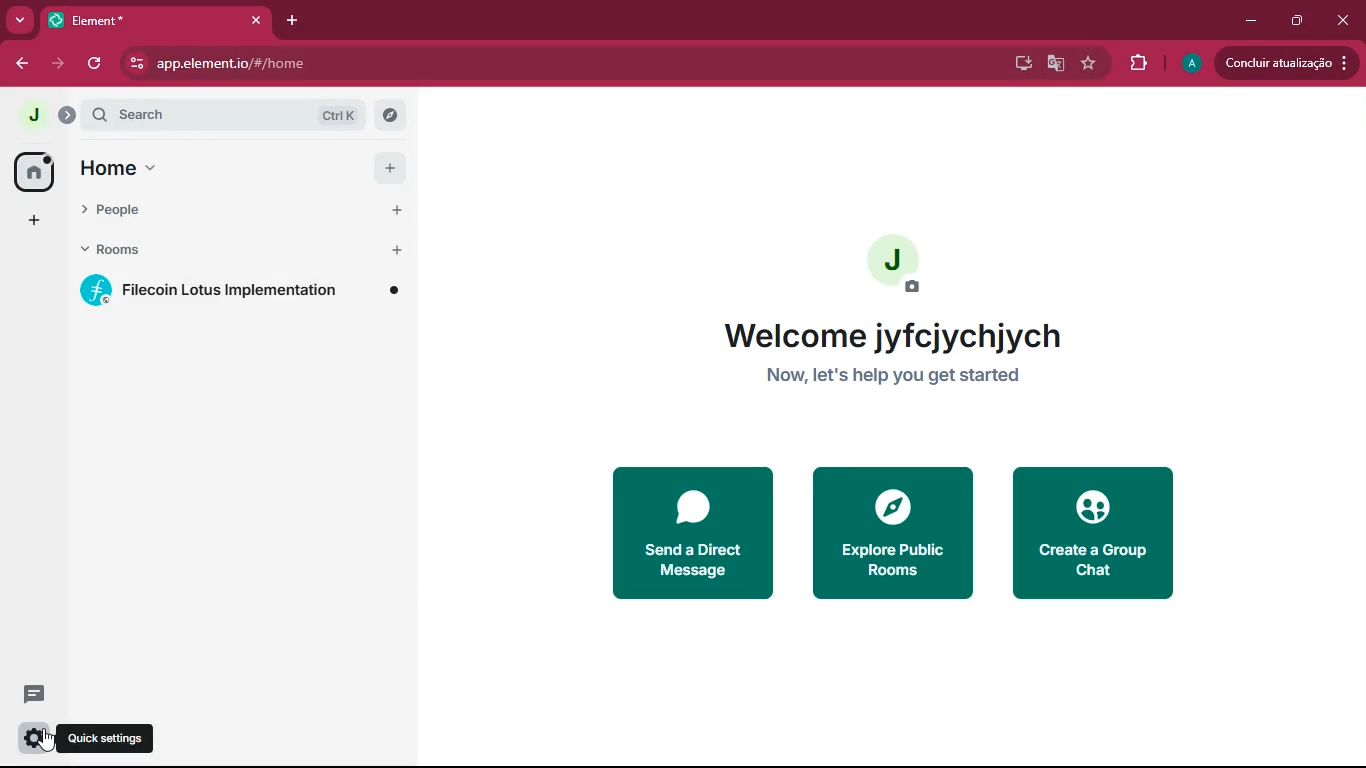 Image resolution: width=1366 pixels, height=768 pixels. Describe the element at coordinates (217, 170) in the screenshot. I see `home` at that location.